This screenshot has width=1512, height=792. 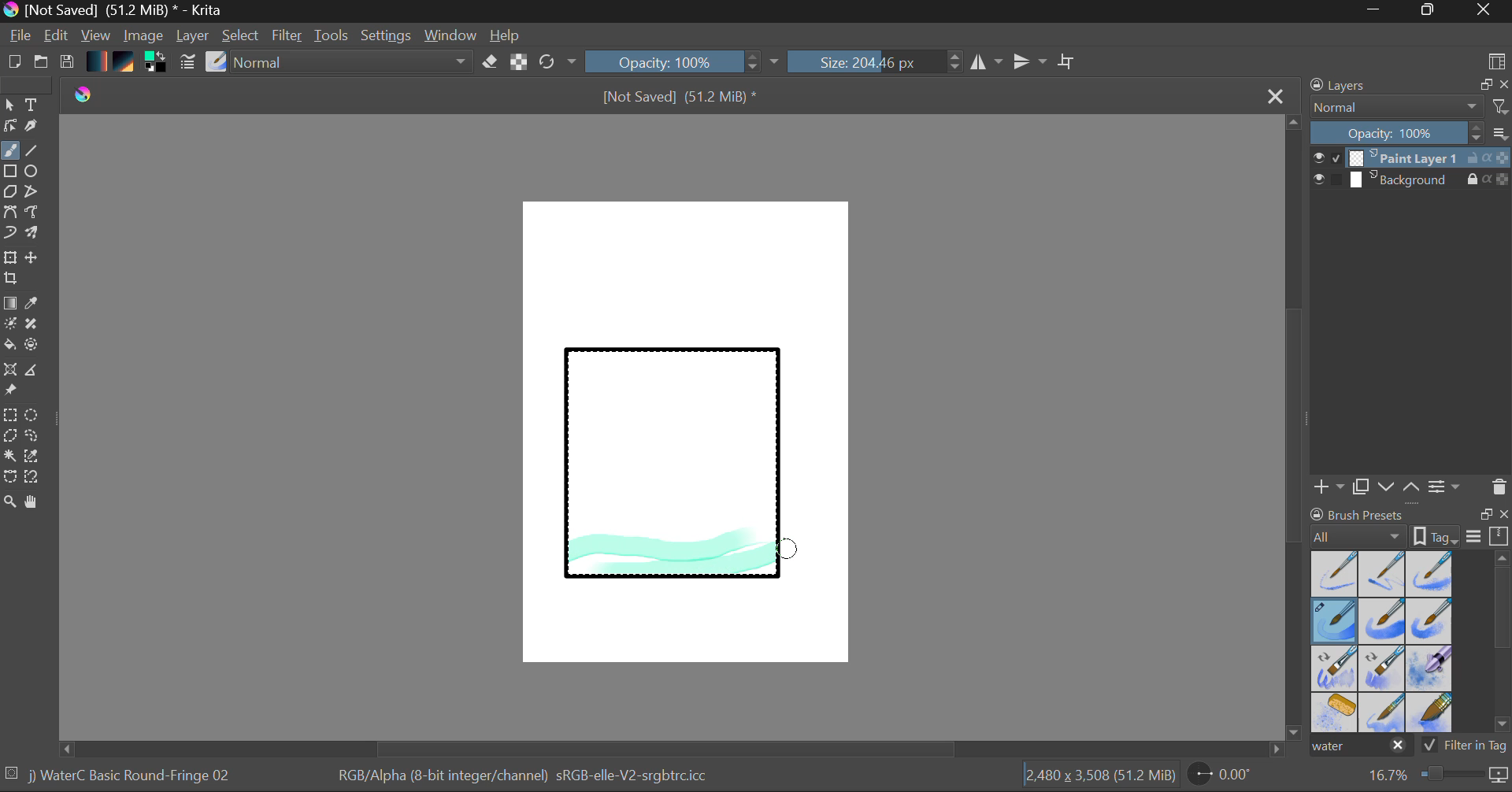 I want to click on Dynamic Brush, so click(x=9, y=233).